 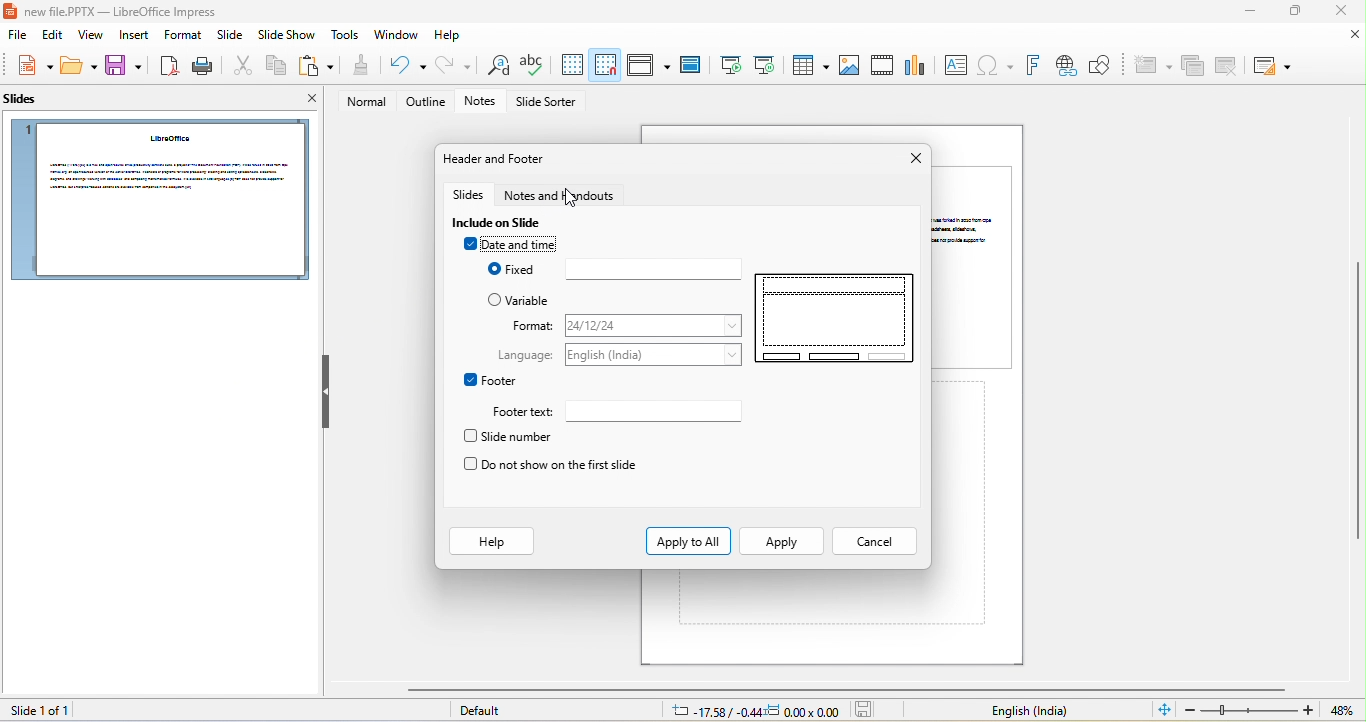 What do you see at coordinates (1347, 711) in the screenshot?
I see `current zoom 71%` at bounding box center [1347, 711].